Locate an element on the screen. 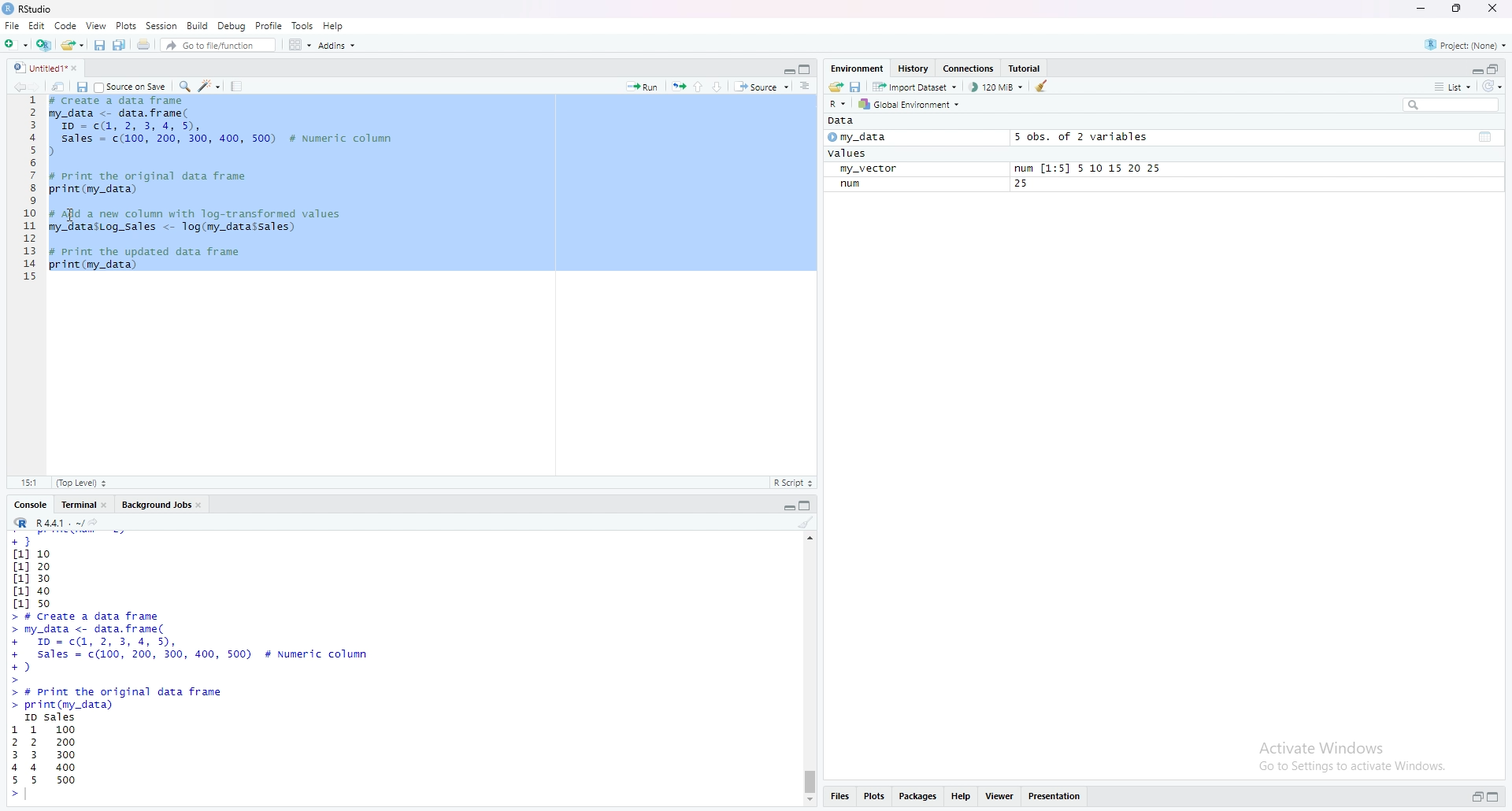 Image resolution: width=1512 pixels, height=811 pixels. minimize is located at coordinates (784, 506).